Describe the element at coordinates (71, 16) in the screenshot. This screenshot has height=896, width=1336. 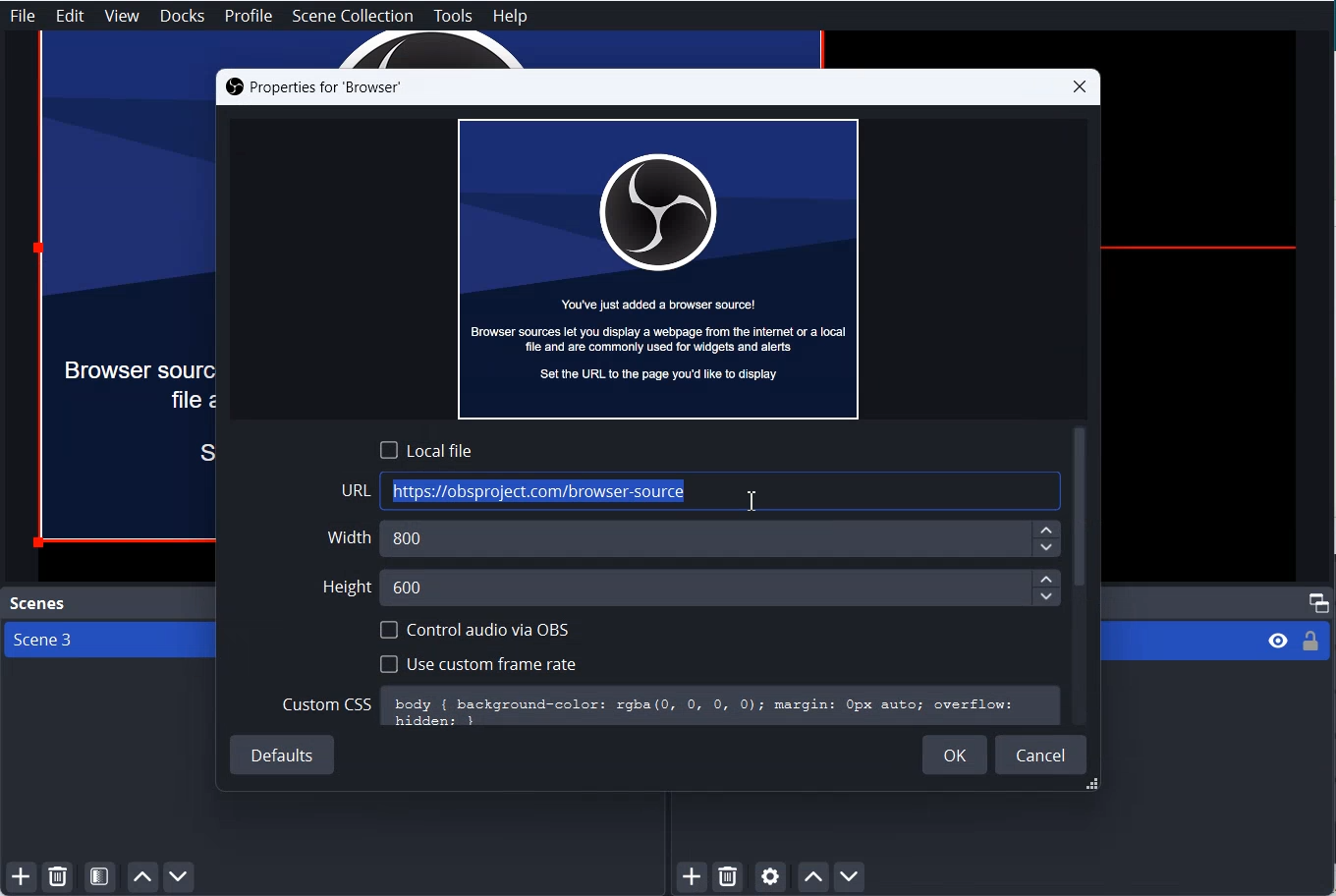
I see `Edit` at that location.